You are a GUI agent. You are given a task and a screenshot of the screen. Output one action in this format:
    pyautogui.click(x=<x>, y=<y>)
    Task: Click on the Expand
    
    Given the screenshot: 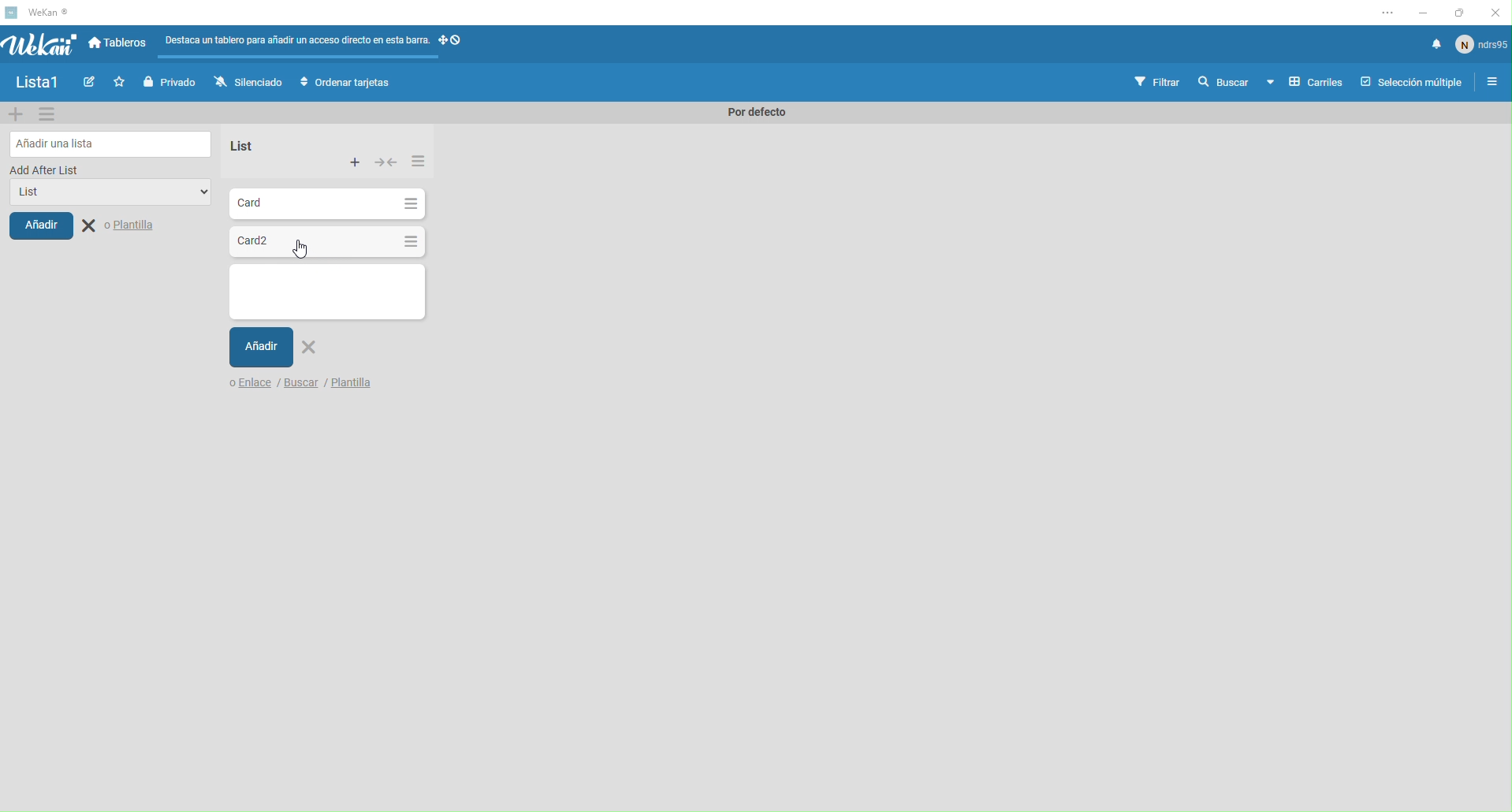 What is the action you would take?
    pyautogui.click(x=386, y=162)
    